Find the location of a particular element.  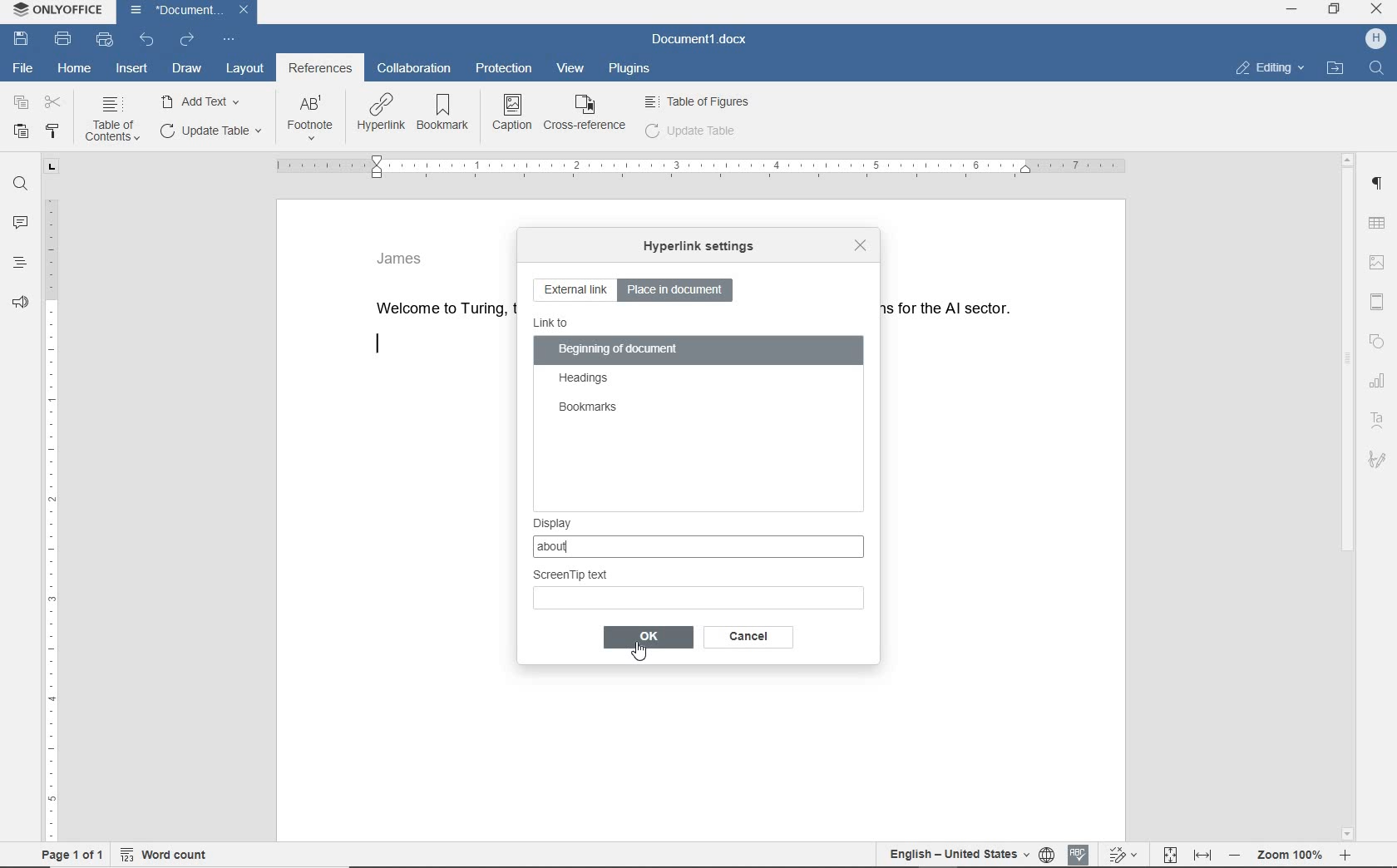

ok is located at coordinates (744, 637).